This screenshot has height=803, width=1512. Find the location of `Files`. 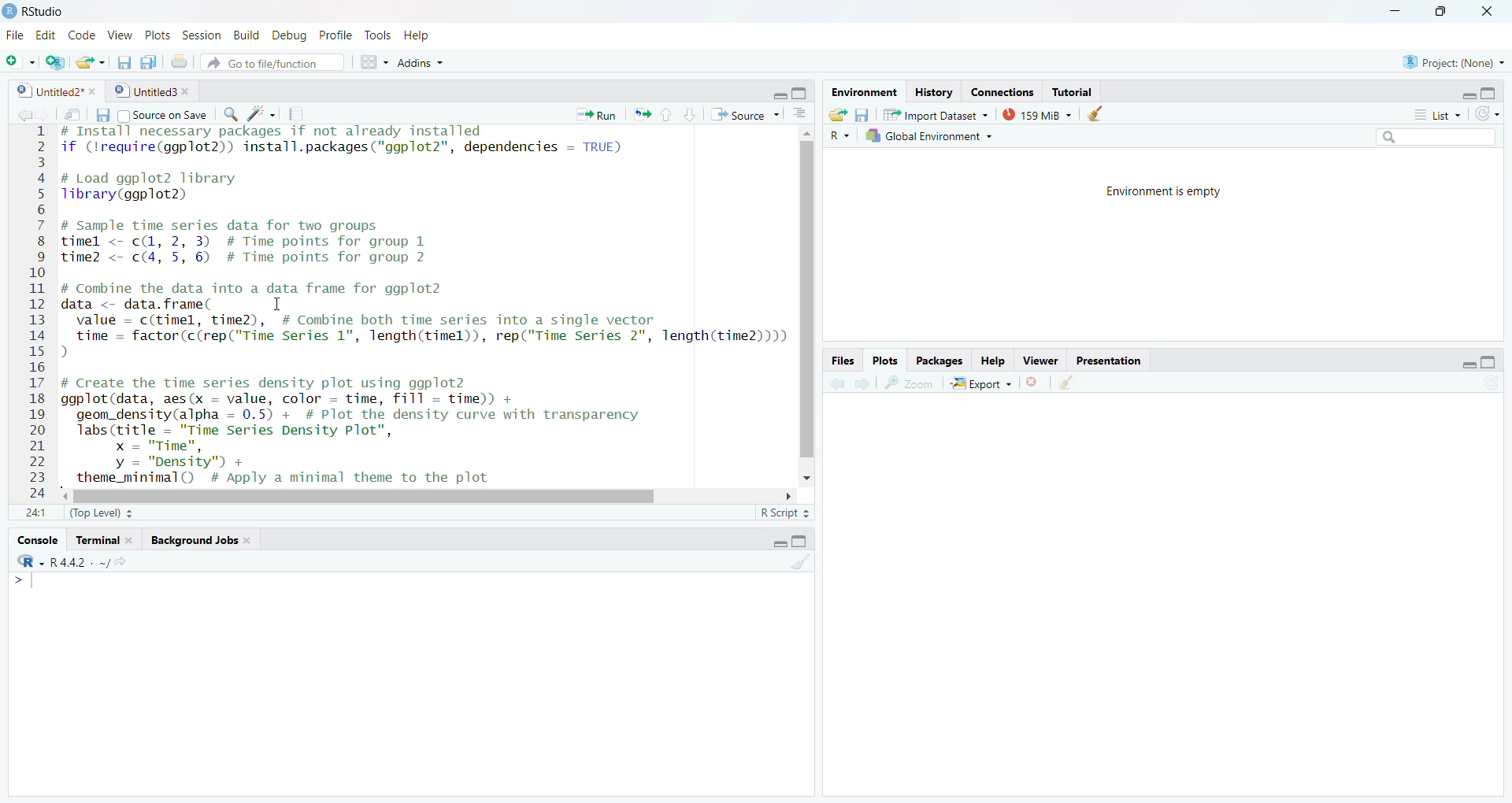

Files is located at coordinates (843, 361).